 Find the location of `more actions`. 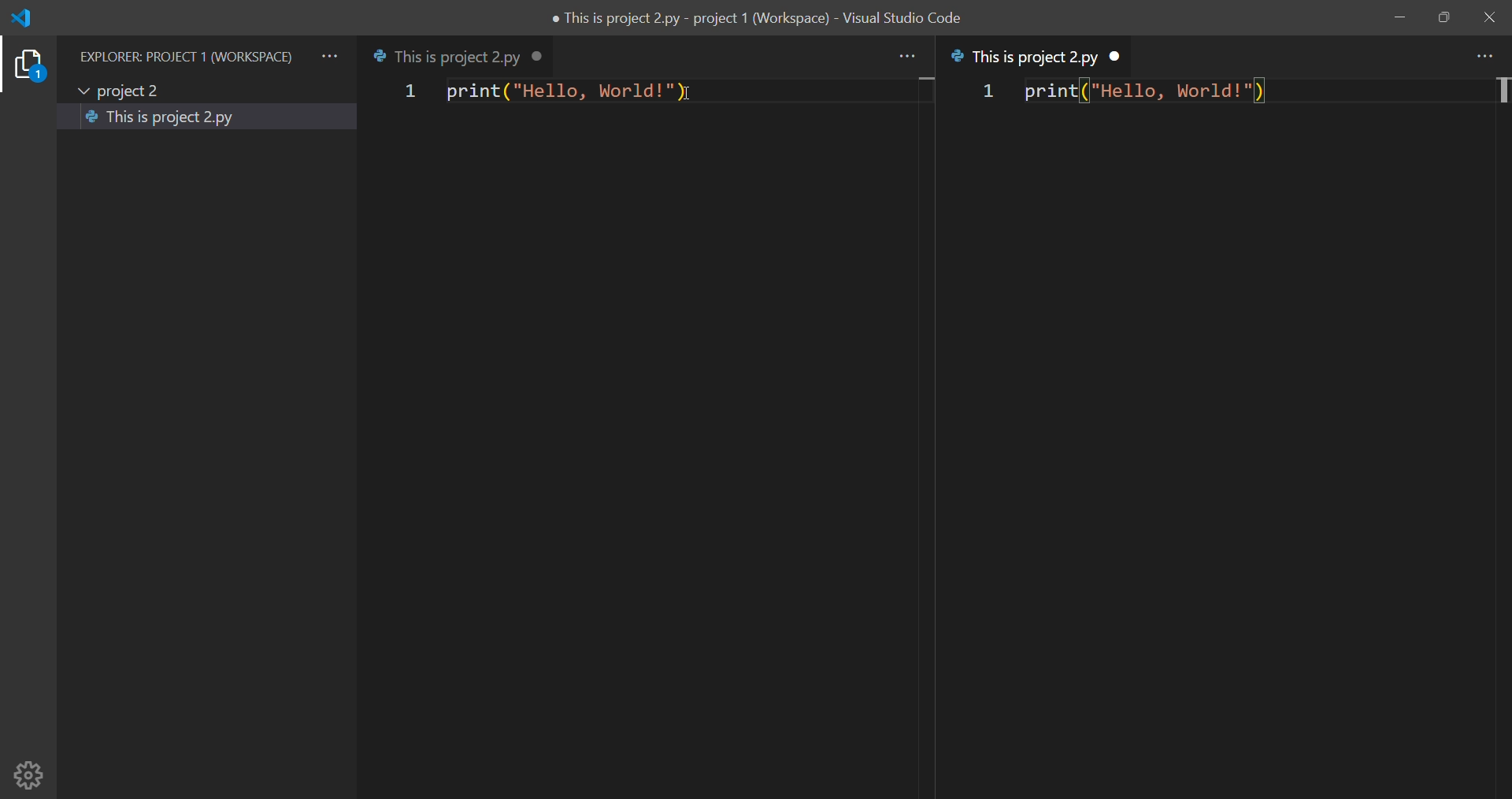

more actions is located at coordinates (329, 56).